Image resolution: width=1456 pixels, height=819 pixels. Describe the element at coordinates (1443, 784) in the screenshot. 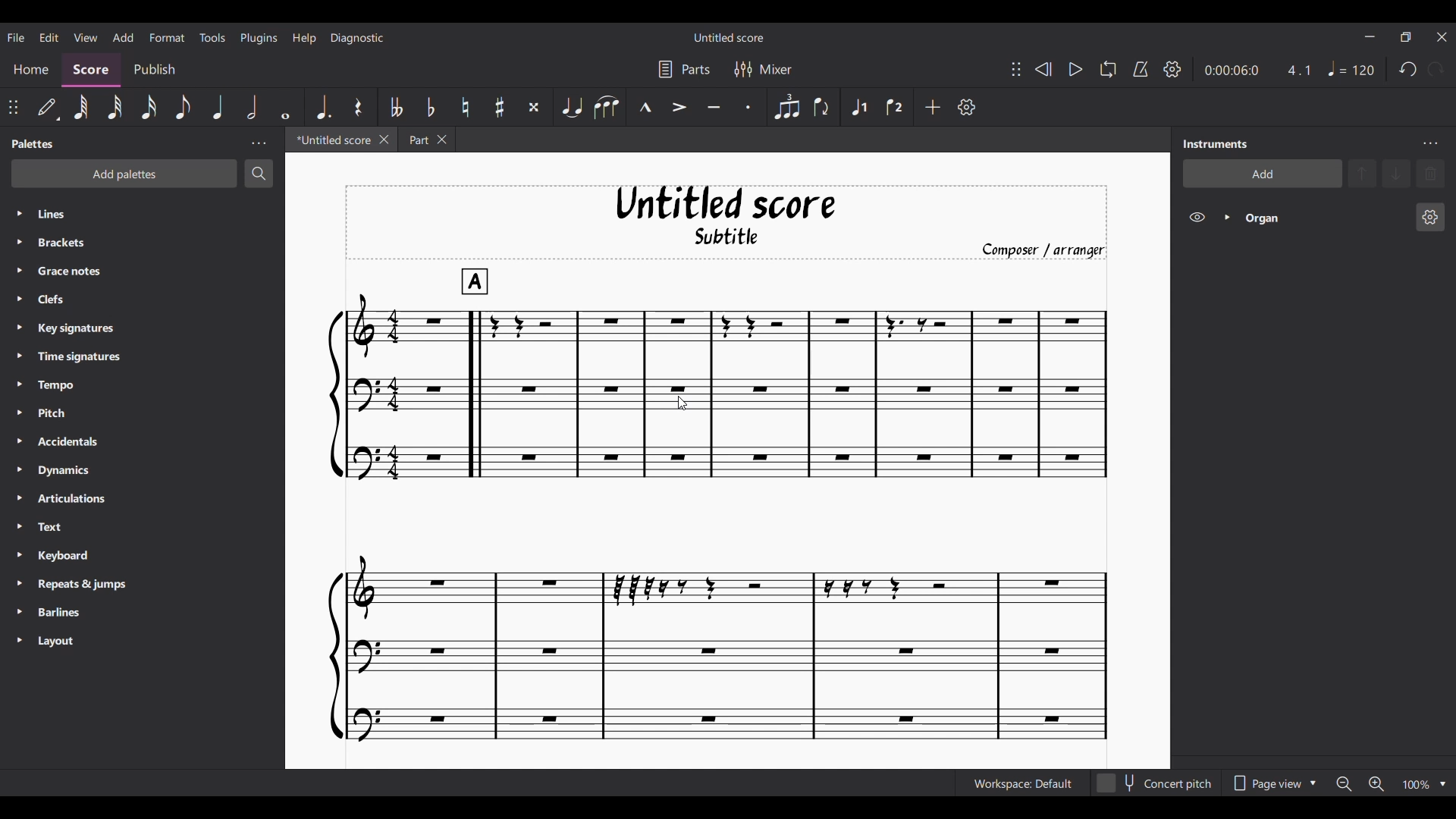

I see `Zoom options` at that location.